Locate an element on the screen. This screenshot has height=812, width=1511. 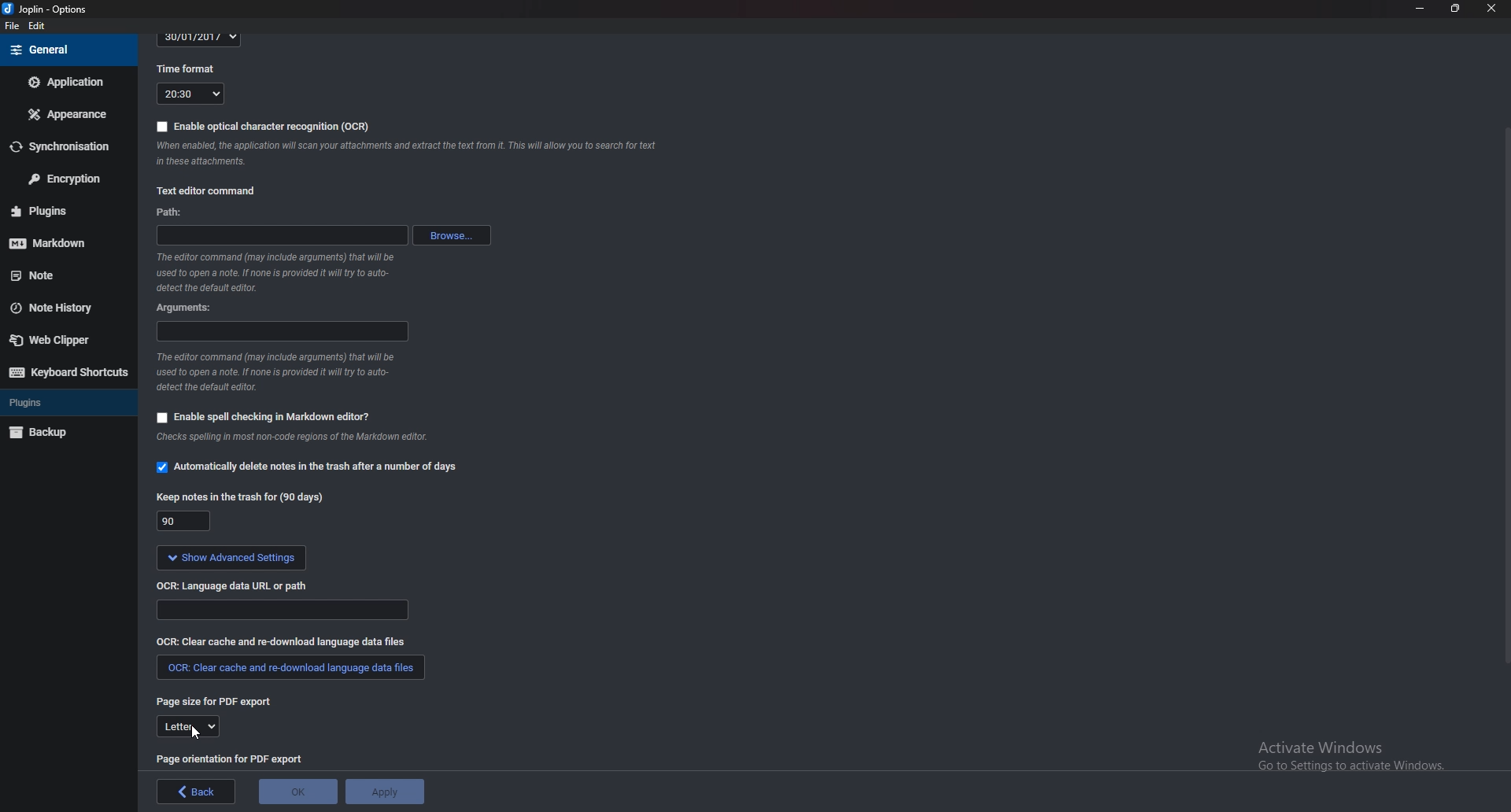
Backup is located at coordinates (61, 433).